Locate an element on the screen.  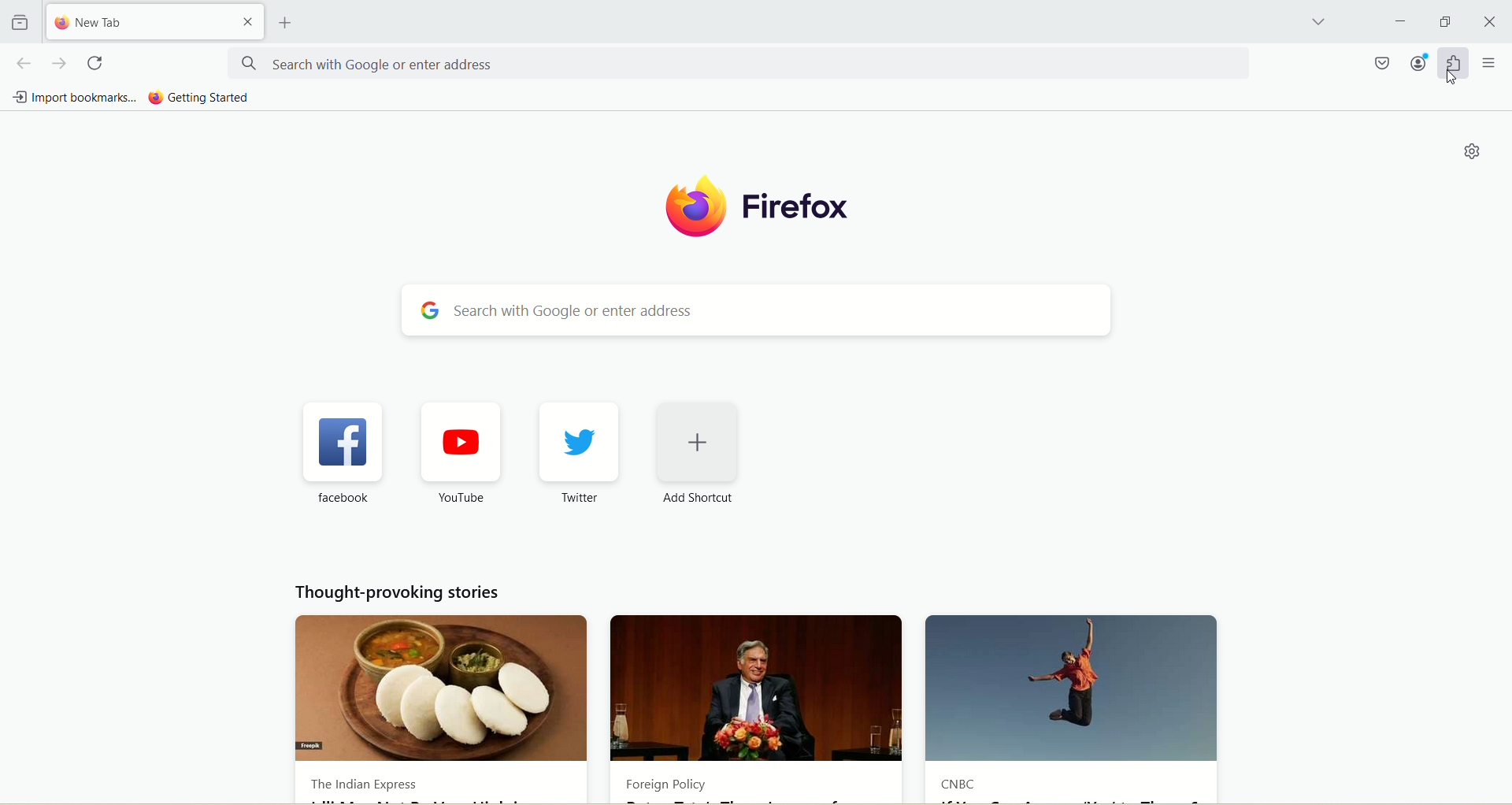
Search bar is located at coordinates (761, 310).